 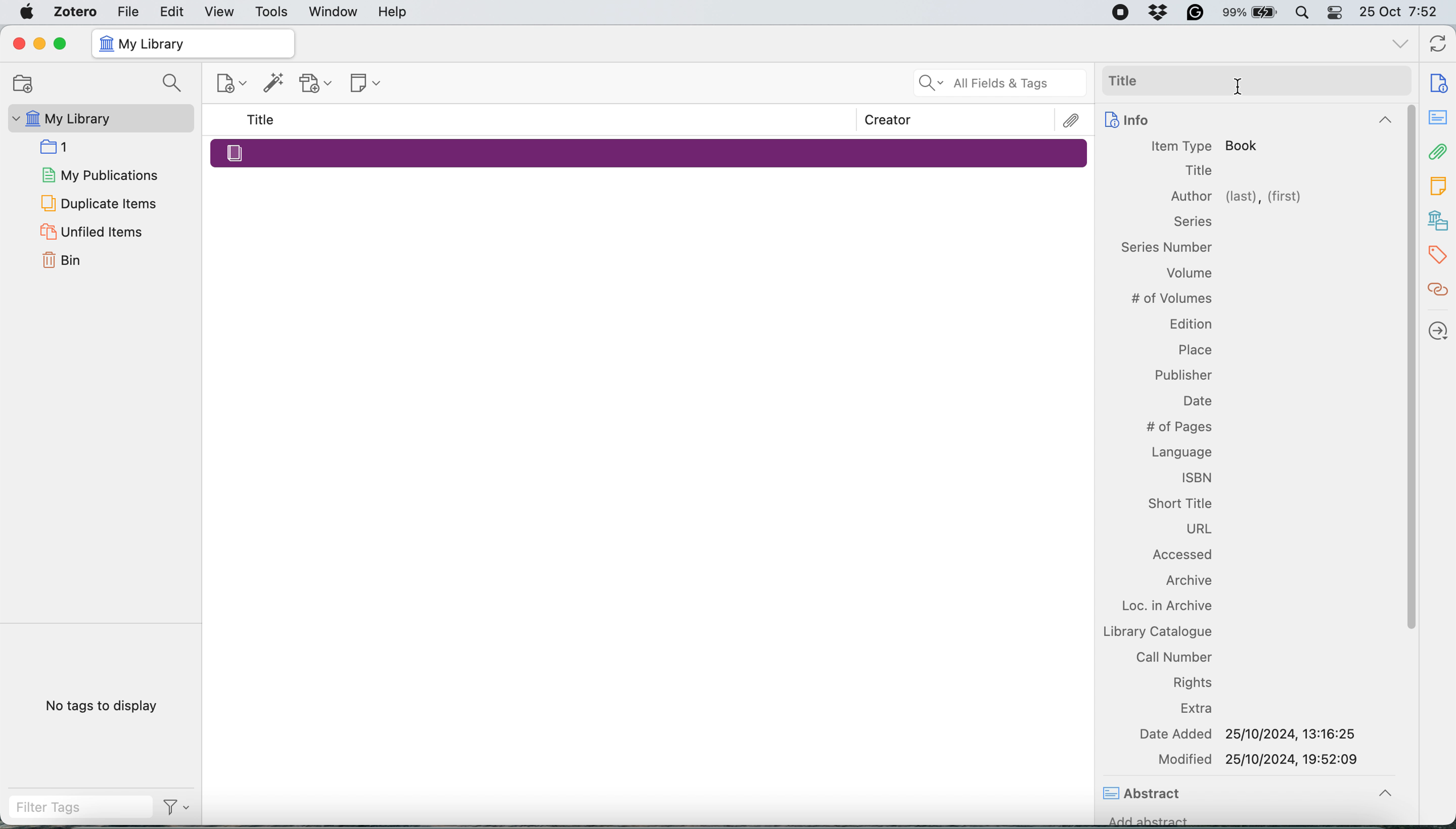 I want to click on 25 Oct 7:52, so click(x=1404, y=13).